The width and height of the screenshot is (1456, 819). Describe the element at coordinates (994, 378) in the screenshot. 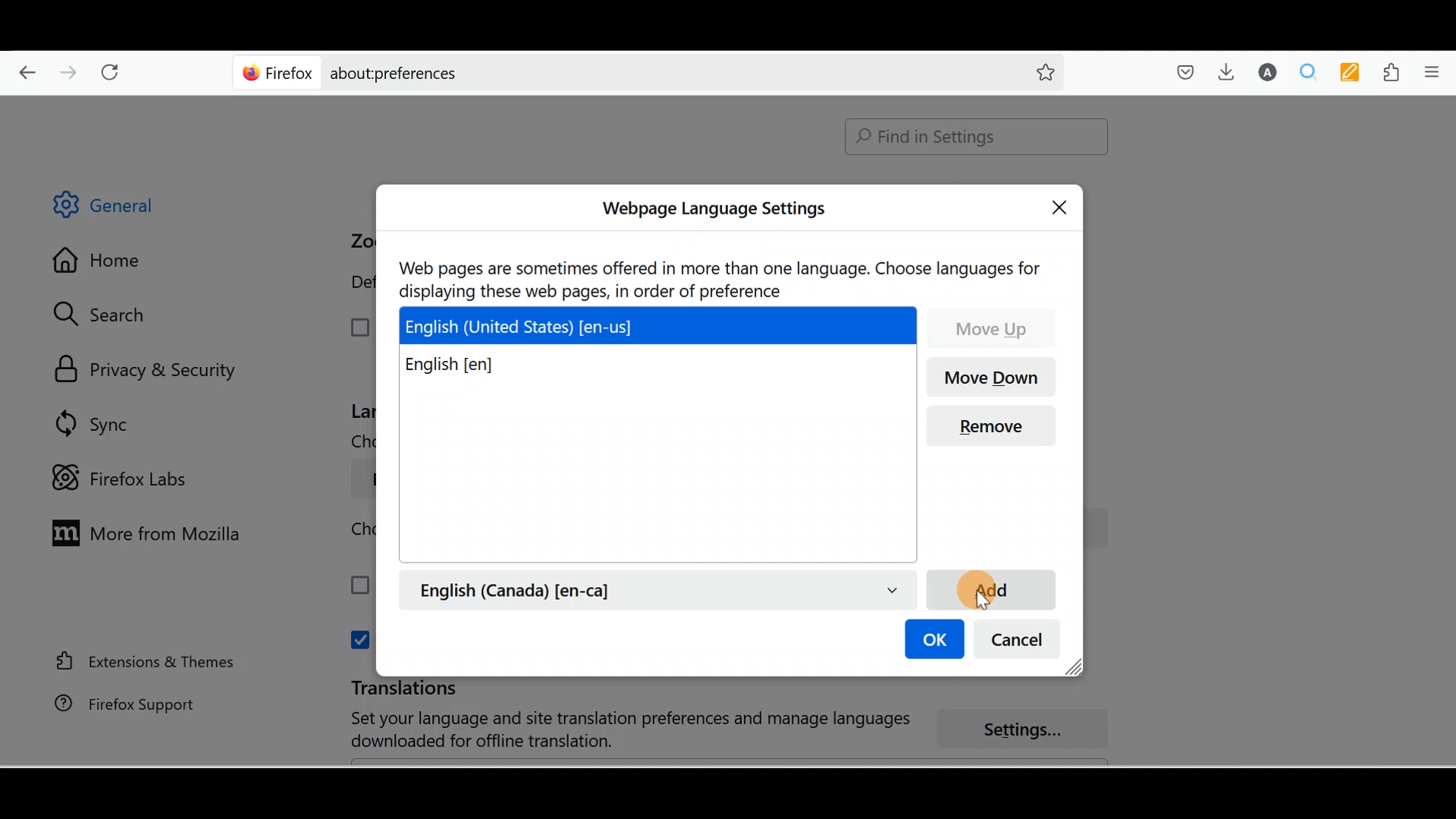

I see `Move down` at that location.